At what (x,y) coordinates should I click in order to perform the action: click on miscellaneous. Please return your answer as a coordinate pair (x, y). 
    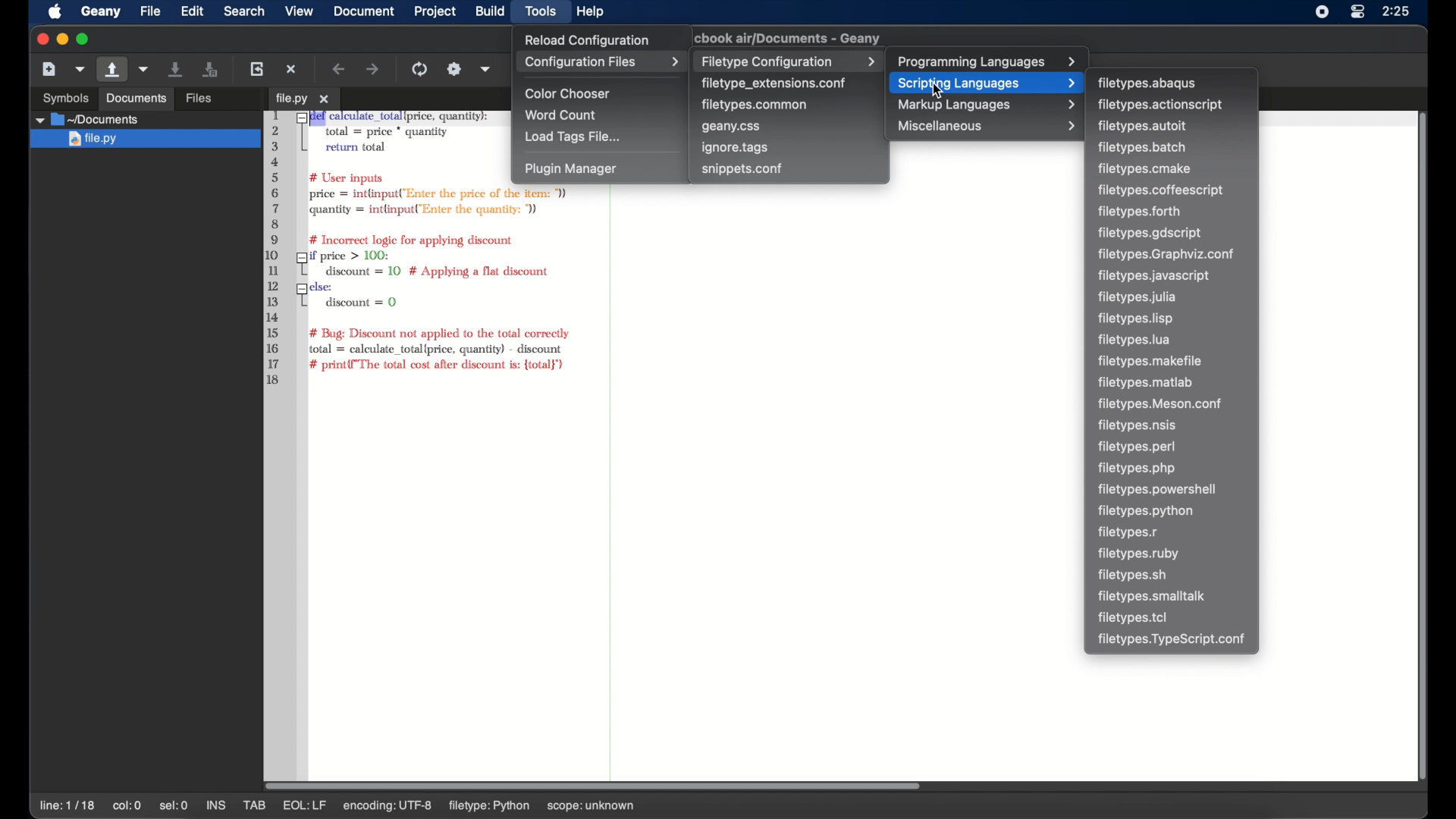
    Looking at the image, I should click on (988, 126).